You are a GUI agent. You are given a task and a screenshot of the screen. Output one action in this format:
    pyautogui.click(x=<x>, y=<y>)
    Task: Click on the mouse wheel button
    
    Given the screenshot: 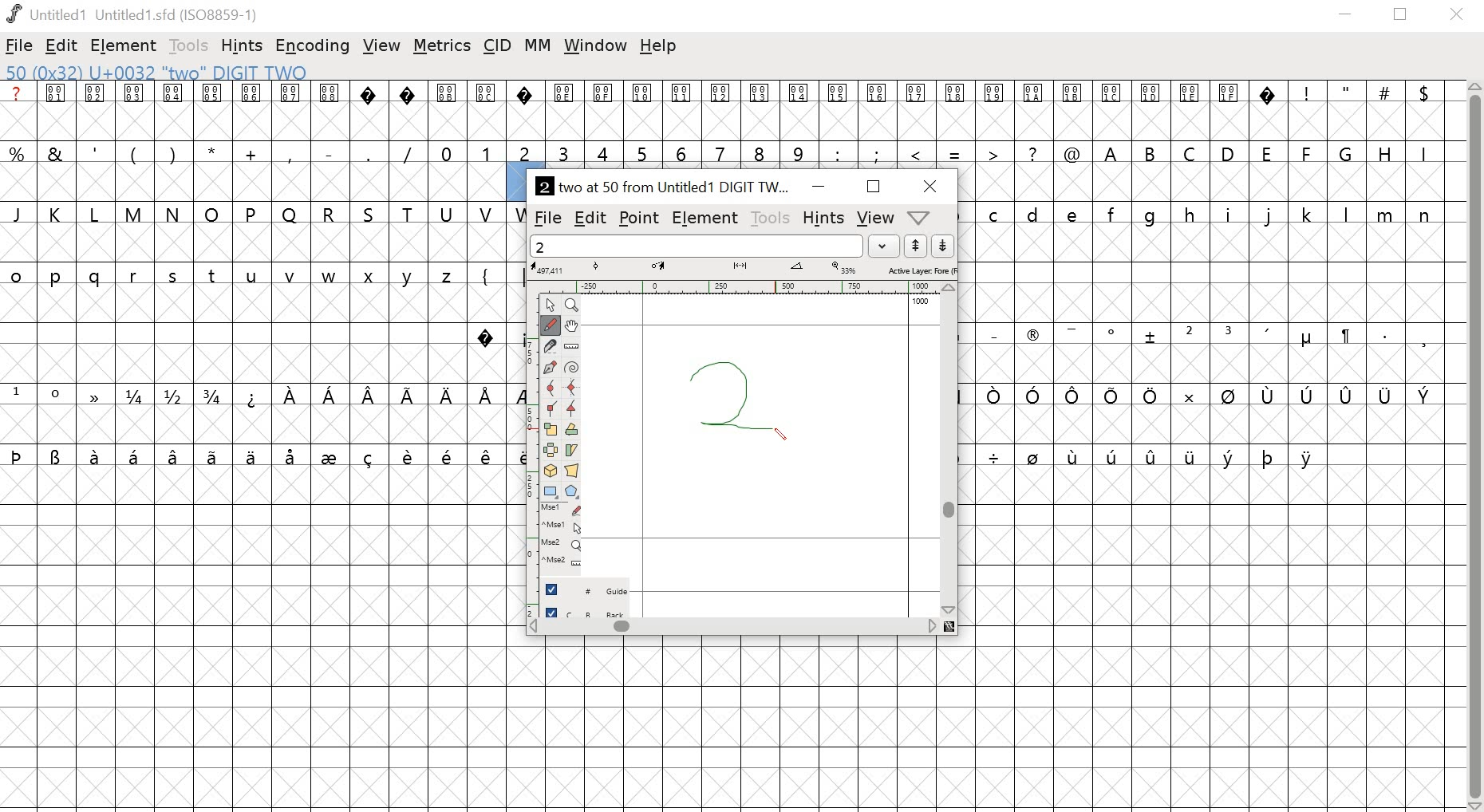 What is the action you would take?
    pyautogui.click(x=563, y=546)
    